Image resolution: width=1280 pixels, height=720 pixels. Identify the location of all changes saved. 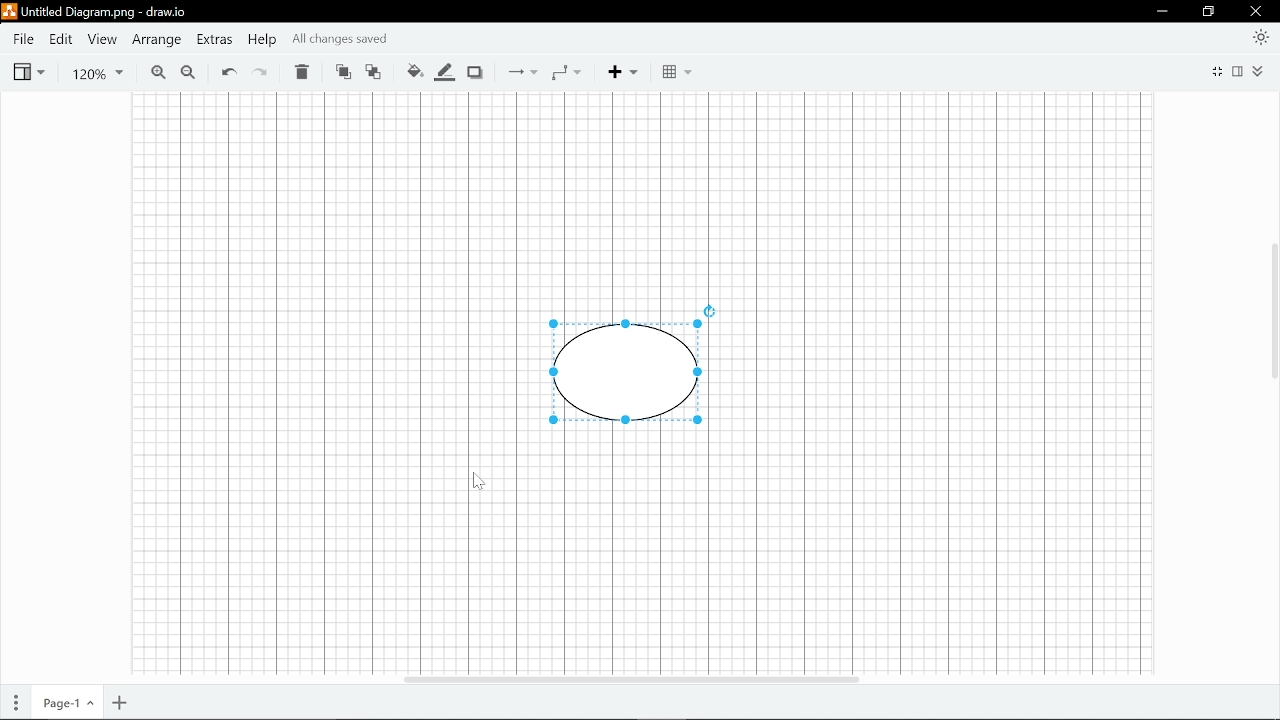
(341, 40).